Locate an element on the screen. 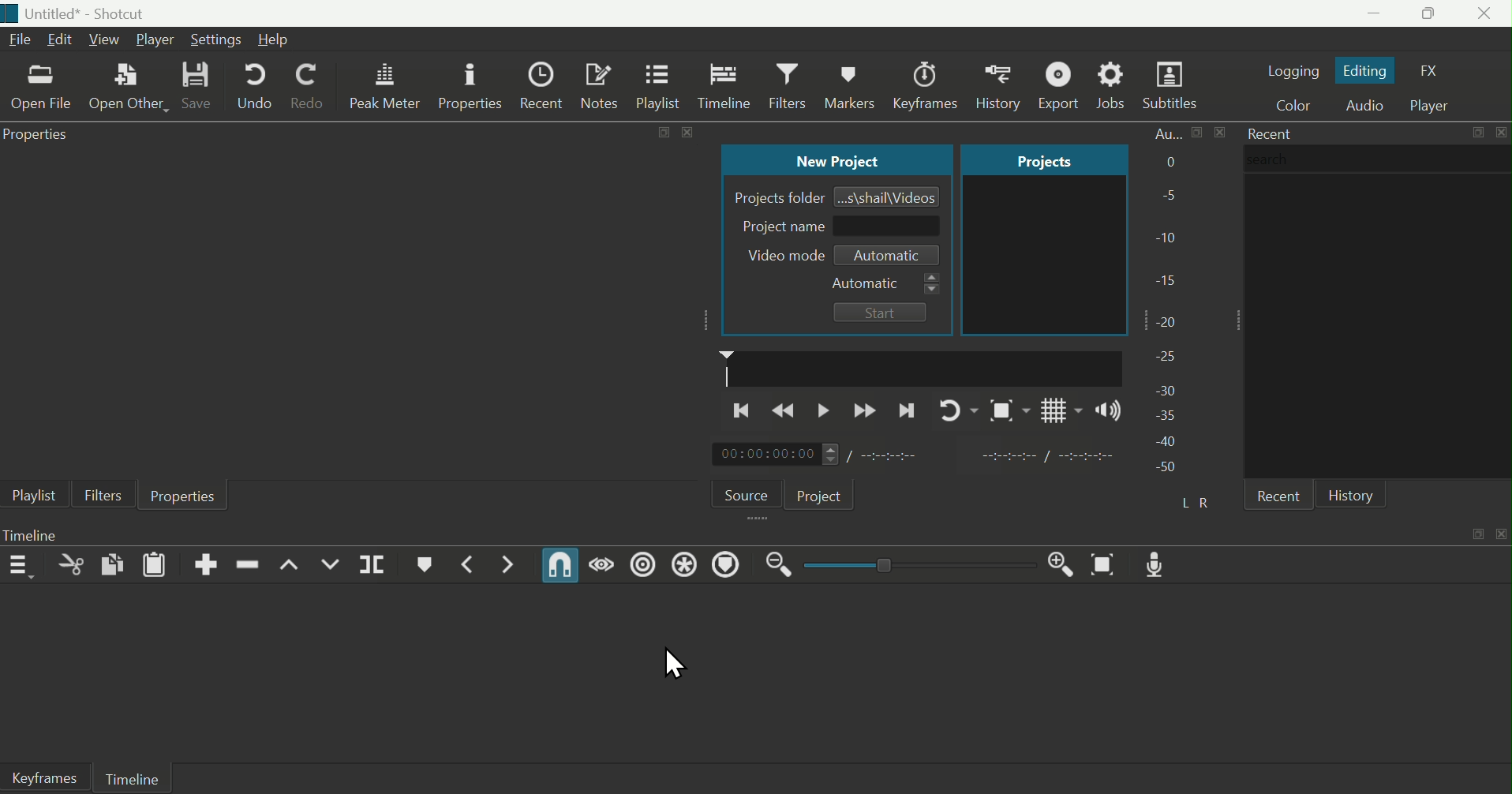 The height and width of the screenshot is (794, 1512). -30 is located at coordinates (1169, 387).